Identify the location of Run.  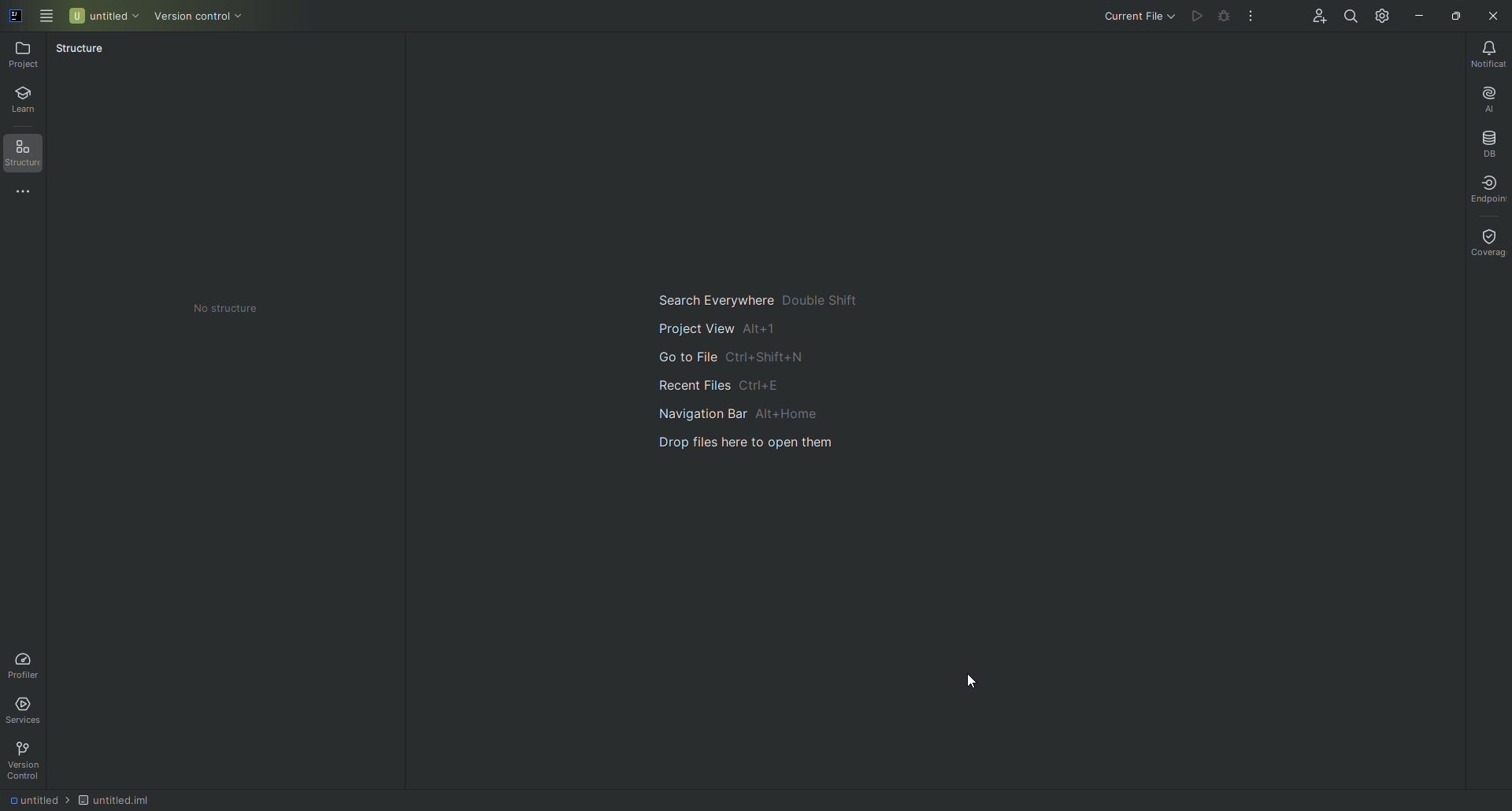
(1195, 17).